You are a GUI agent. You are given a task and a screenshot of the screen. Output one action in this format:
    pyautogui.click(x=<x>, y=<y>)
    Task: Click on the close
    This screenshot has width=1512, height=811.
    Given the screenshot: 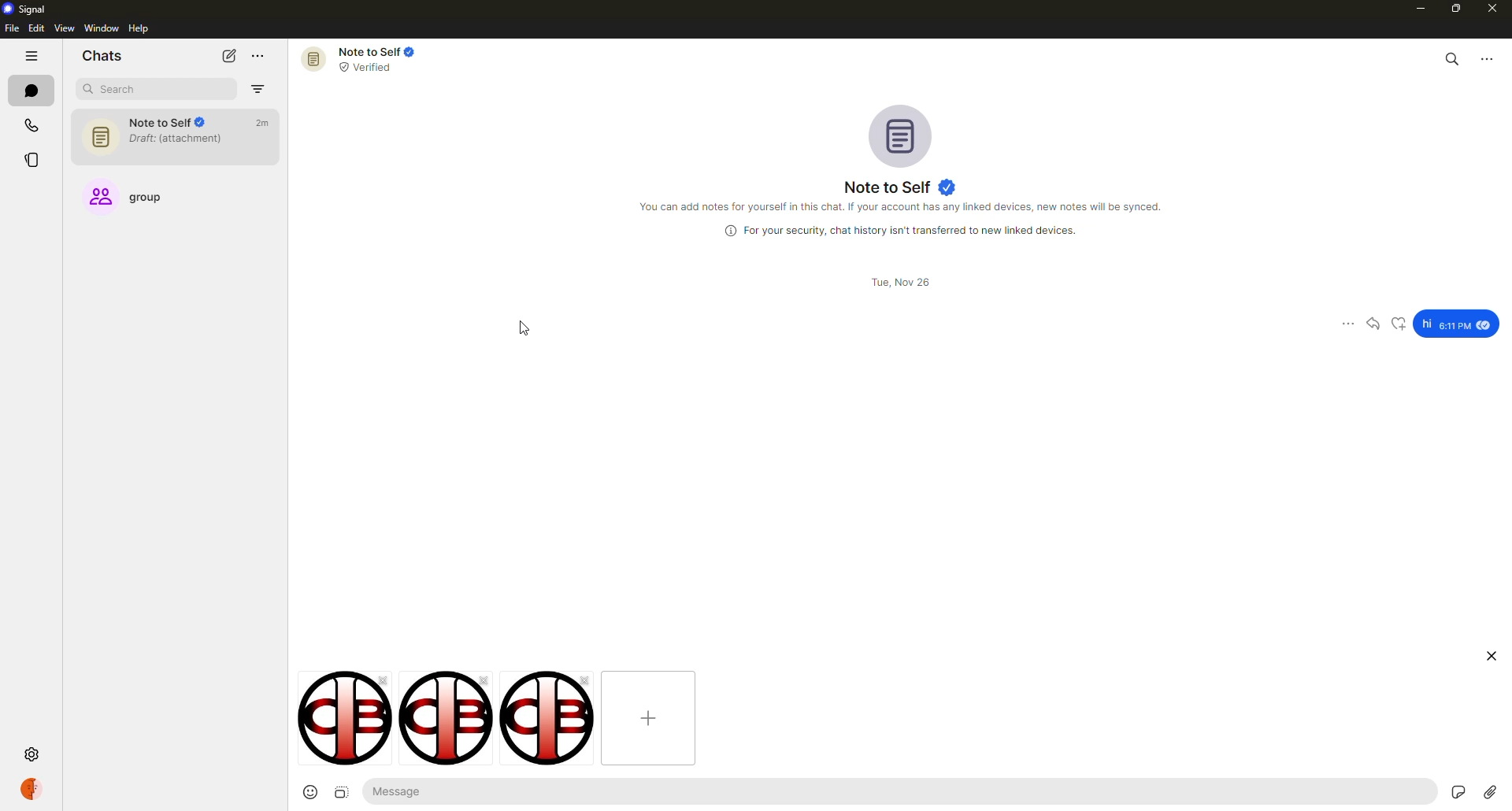 What is the action you would take?
    pyautogui.click(x=1495, y=9)
    